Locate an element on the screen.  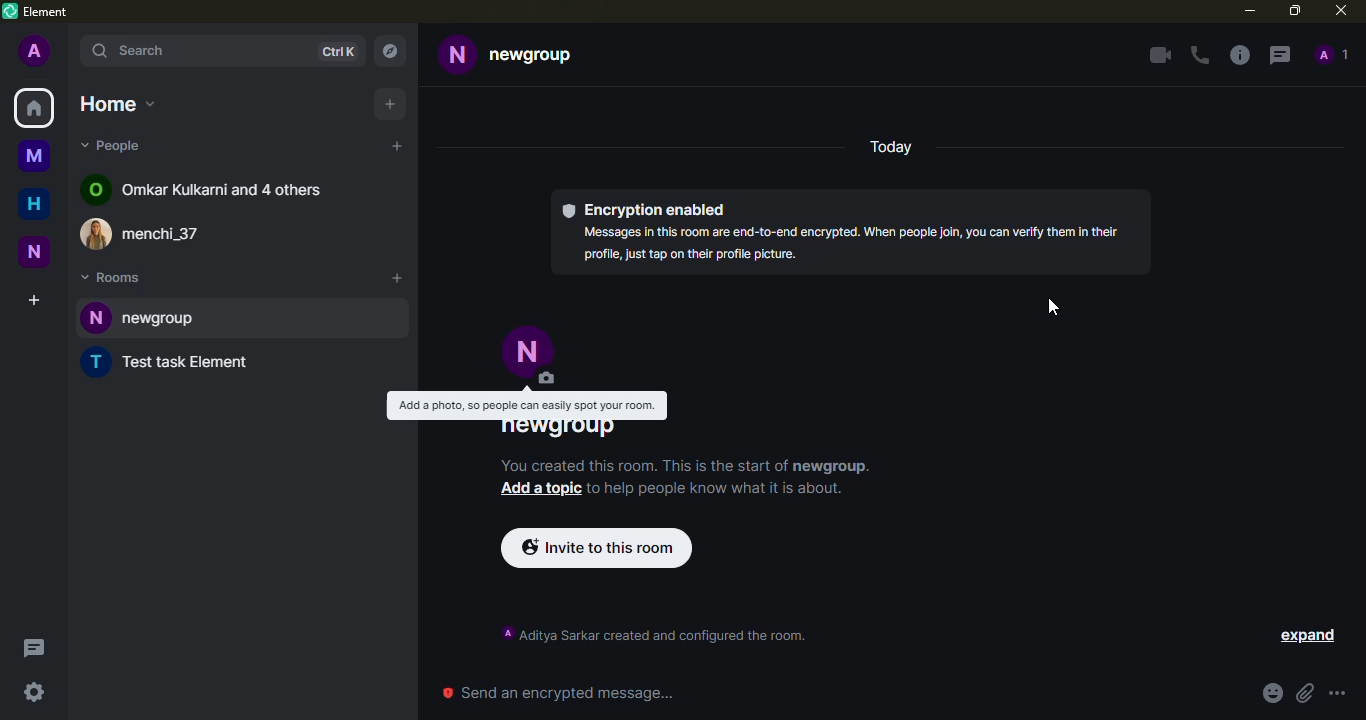
Cursor is located at coordinates (1053, 307).